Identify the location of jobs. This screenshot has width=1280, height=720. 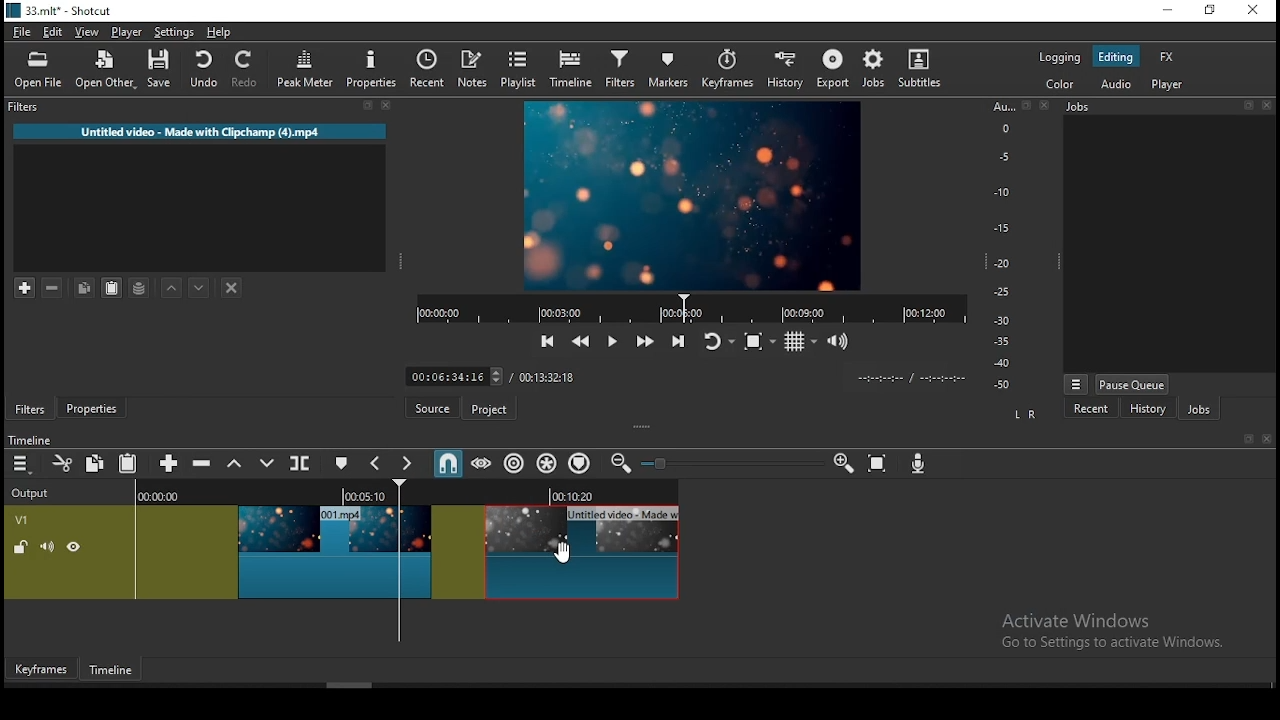
(1198, 411).